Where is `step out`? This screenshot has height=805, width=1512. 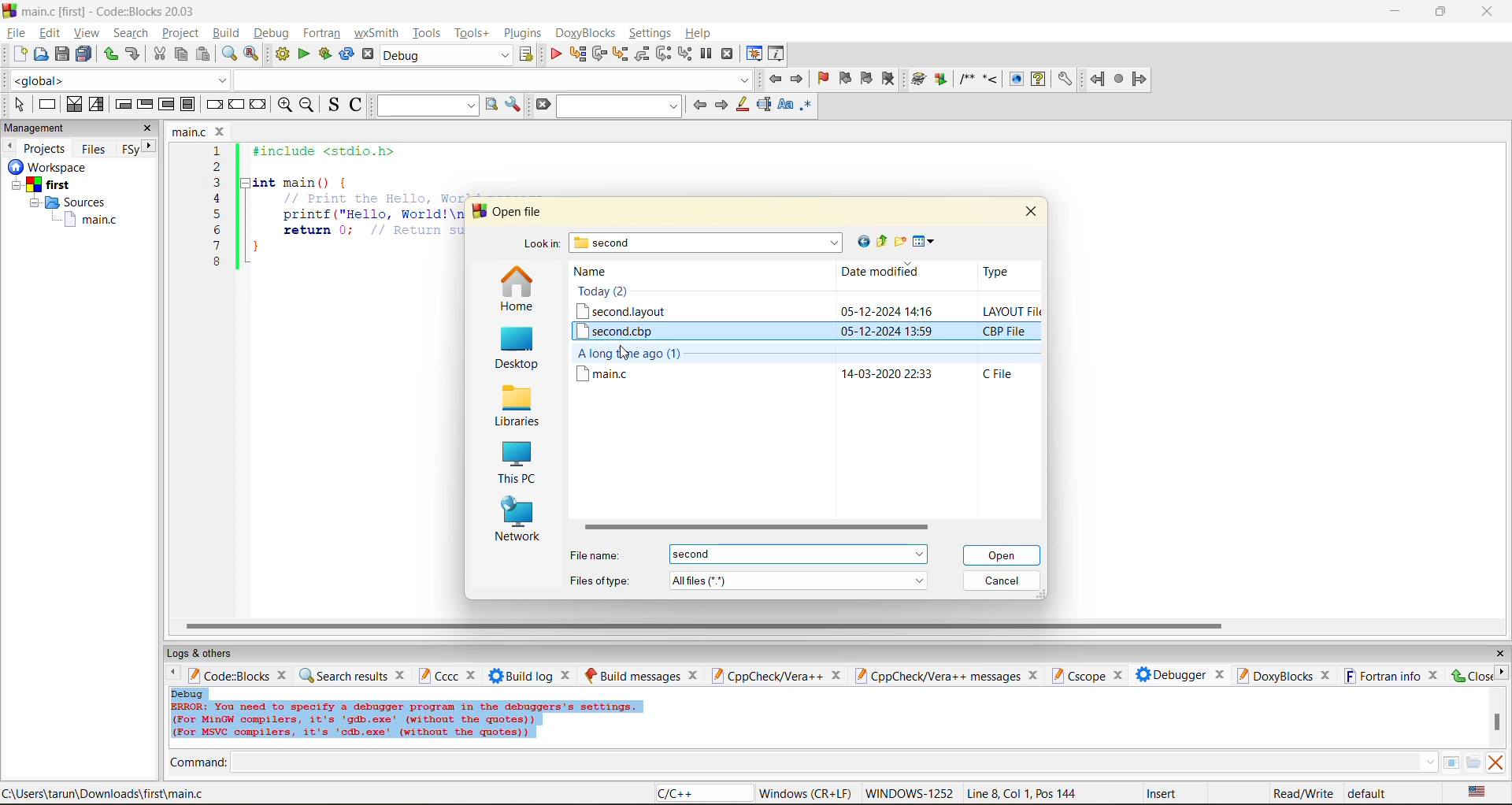
step out is located at coordinates (641, 54).